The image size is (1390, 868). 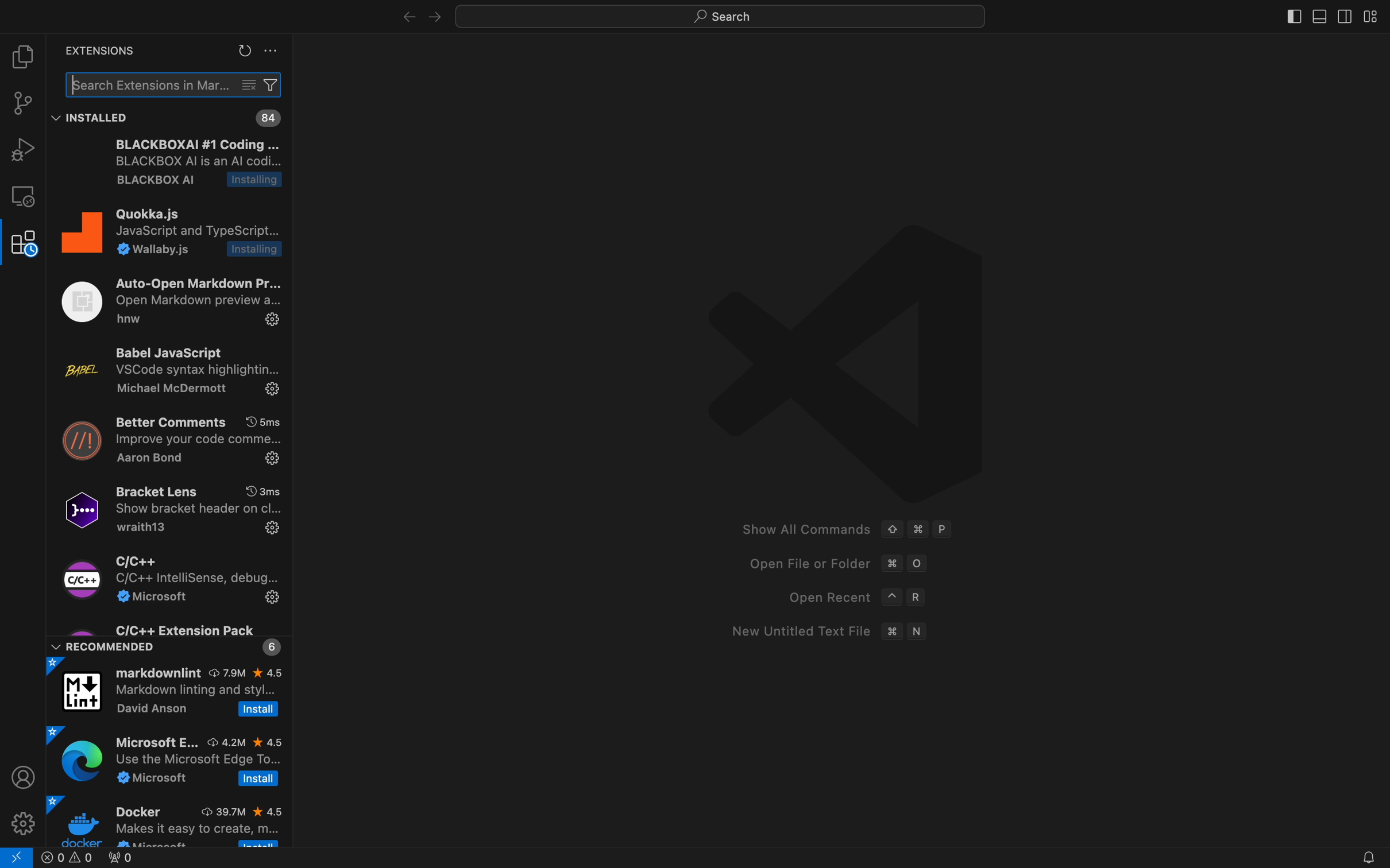 I want to click on BLACKBOXAI #1 Coding ...
BLACKBOX Al is an Al codi...
BLACKBOX Al, so click(x=179, y=166).